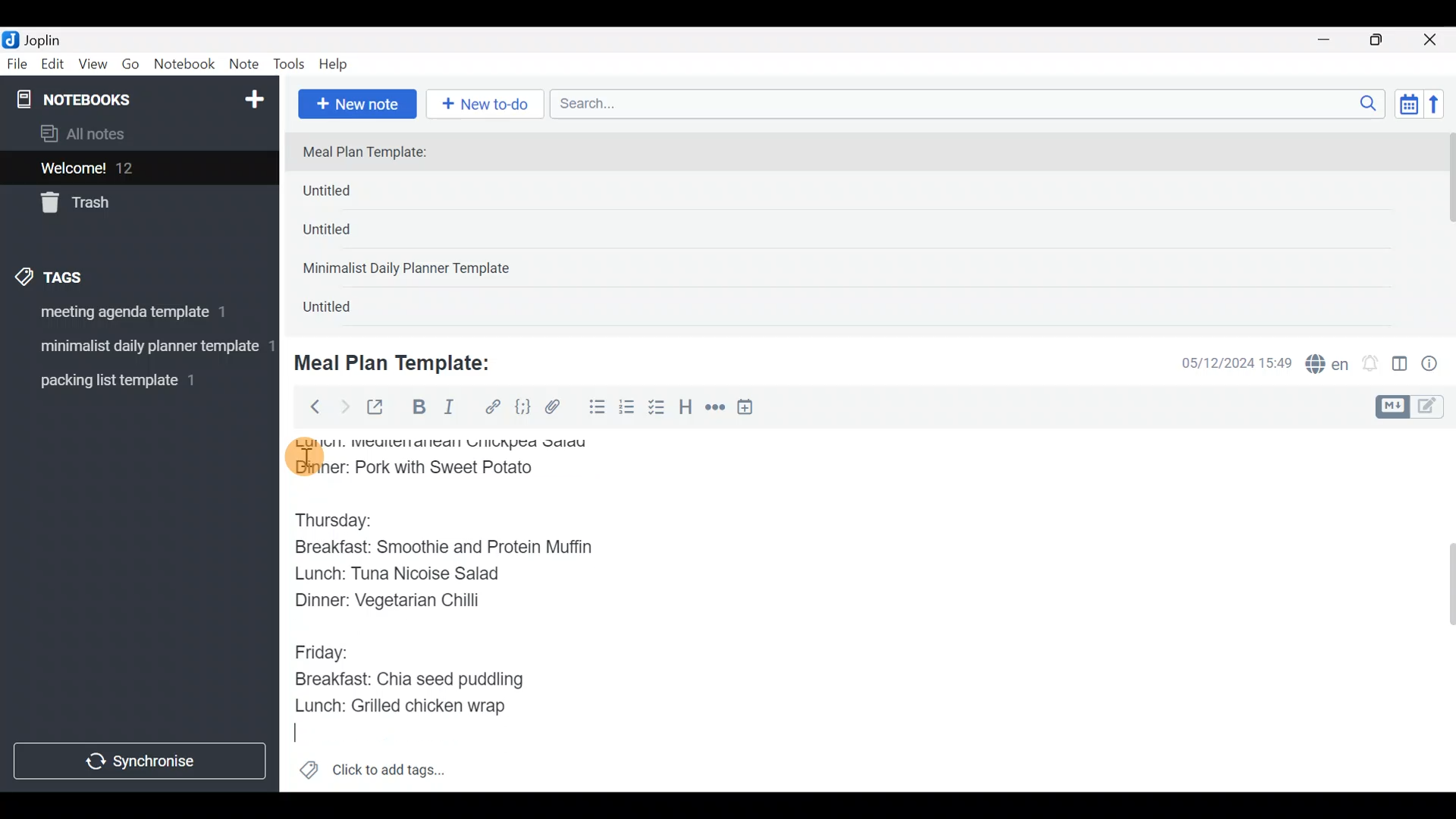 Image resolution: width=1456 pixels, height=819 pixels. Describe the element at coordinates (52, 38) in the screenshot. I see `Joplin` at that location.